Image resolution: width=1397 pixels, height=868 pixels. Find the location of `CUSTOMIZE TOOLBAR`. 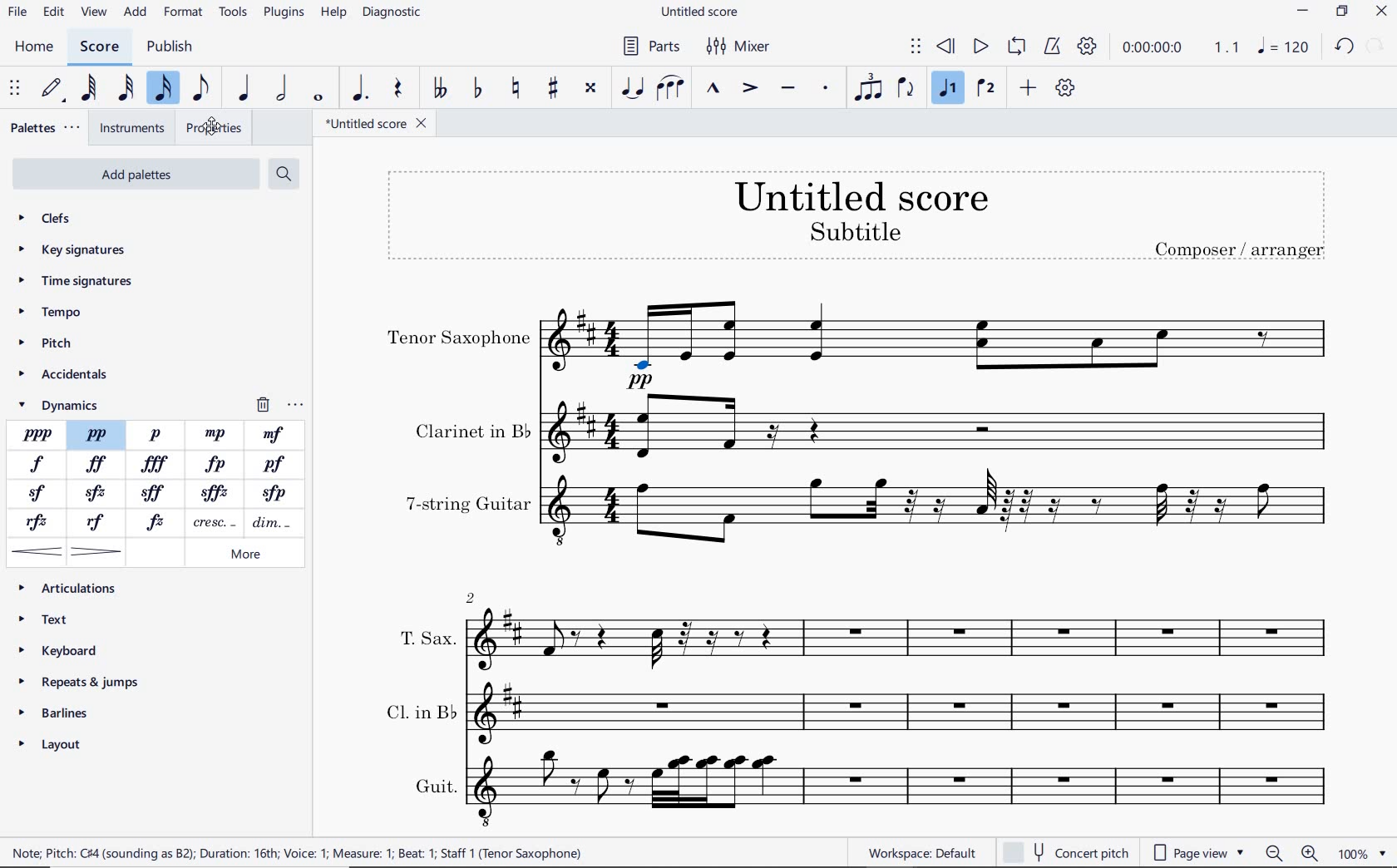

CUSTOMIZE TOOLBAR is located at coordinates (1064, 87).